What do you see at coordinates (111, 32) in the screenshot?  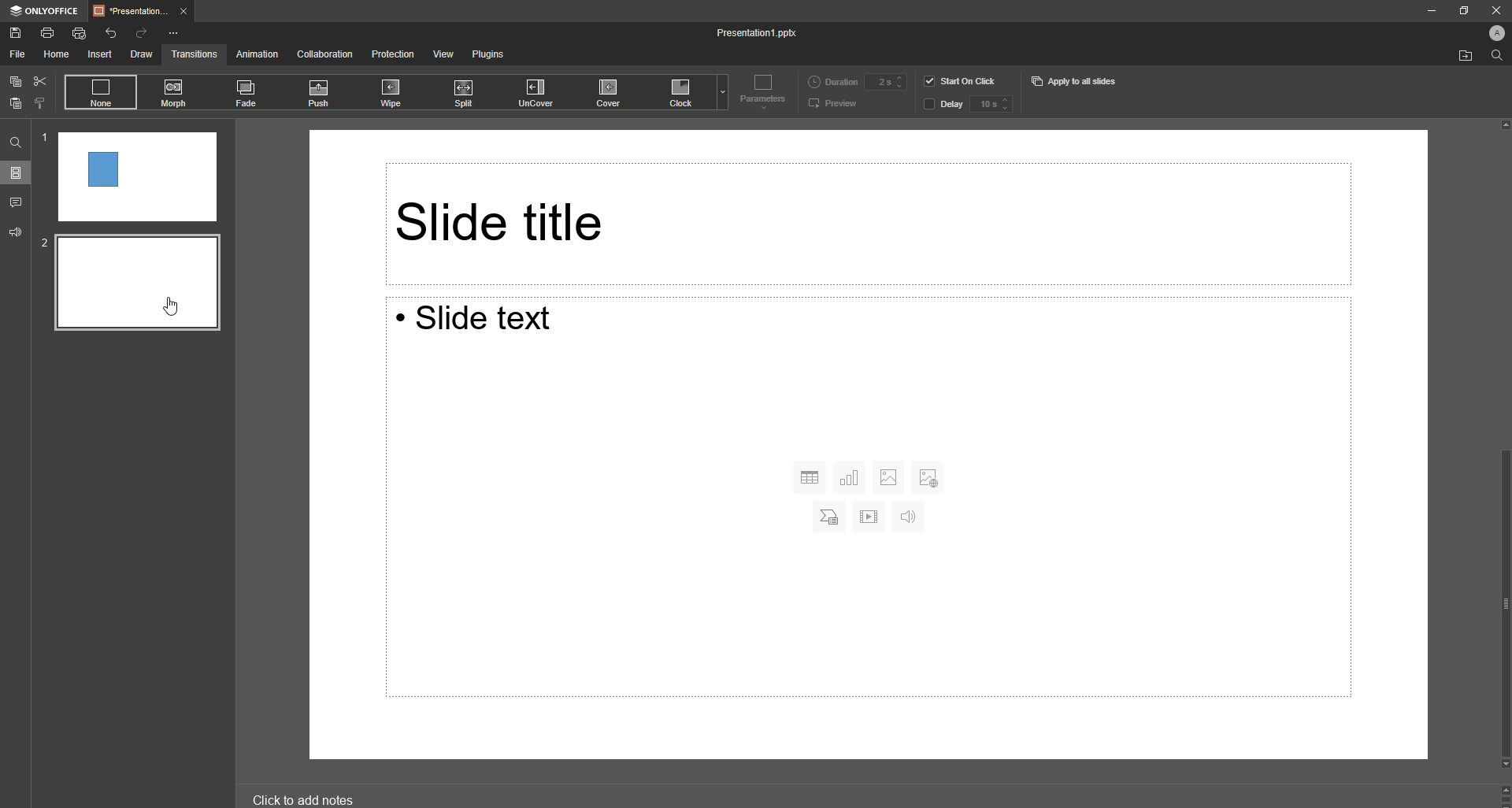 I see `Undo` at bounding box center [111, 32].